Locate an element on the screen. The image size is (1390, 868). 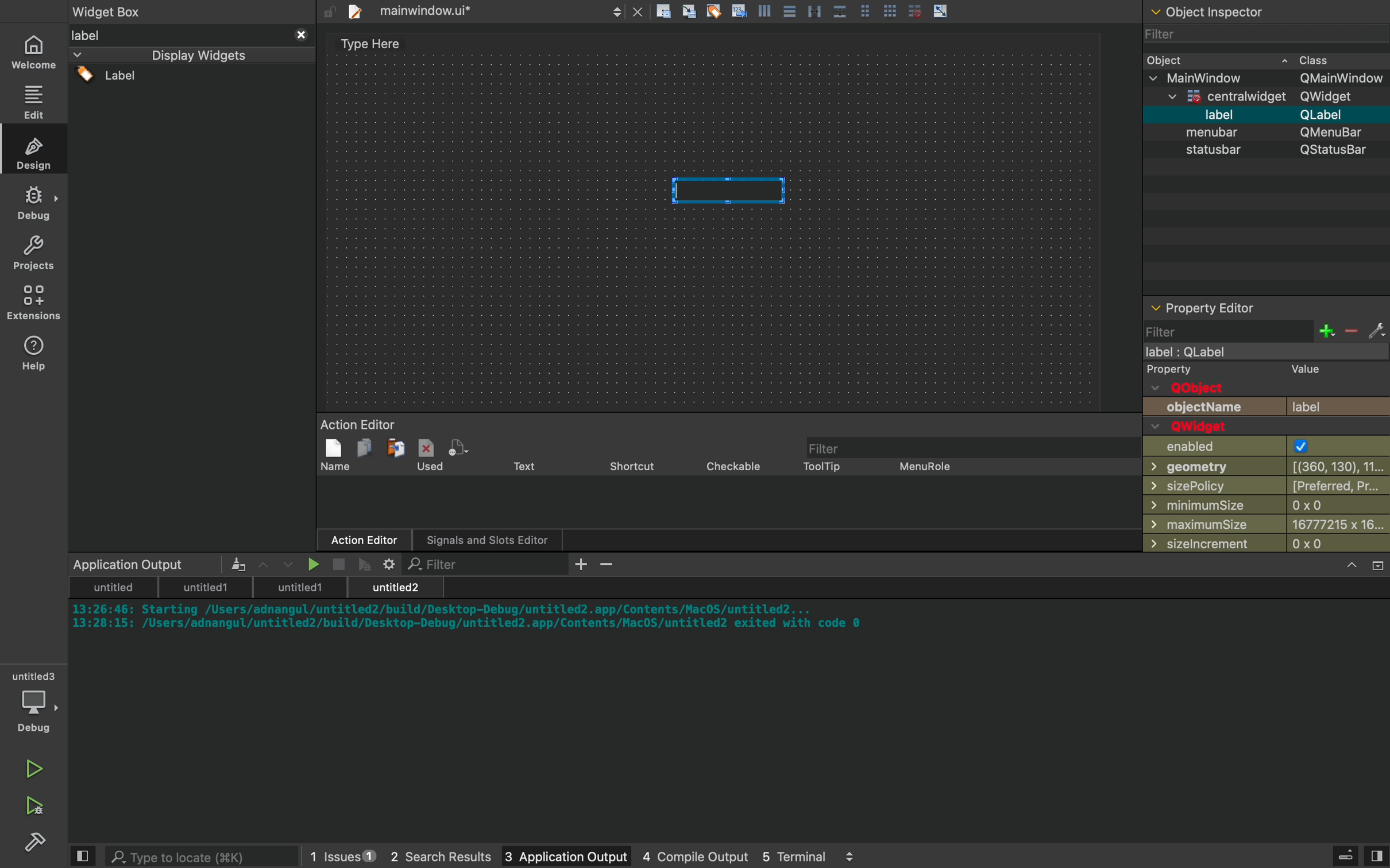
 is located at coordinates (798, 12).